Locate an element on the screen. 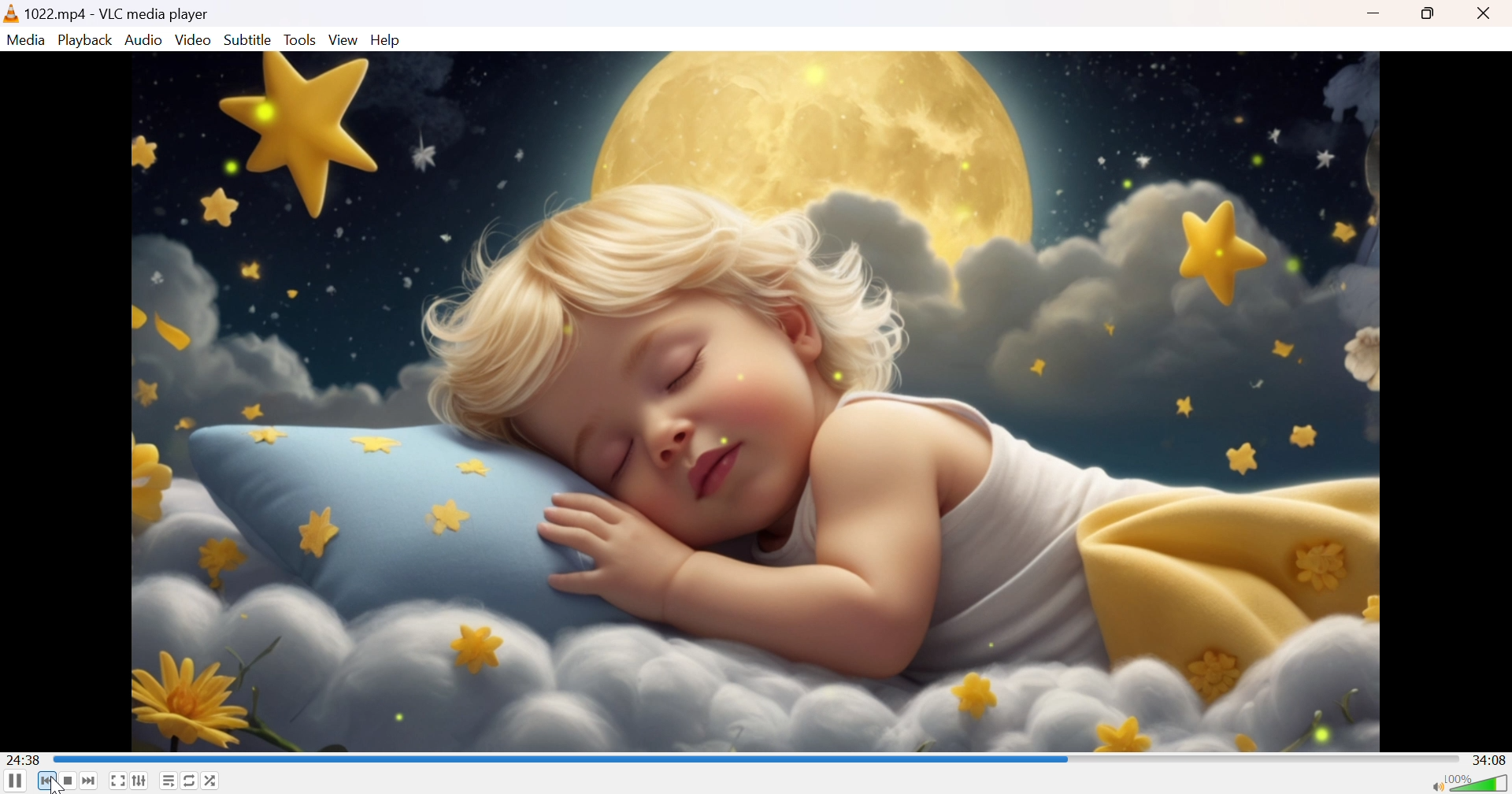  Volume is located at coordinates (1479, 781).